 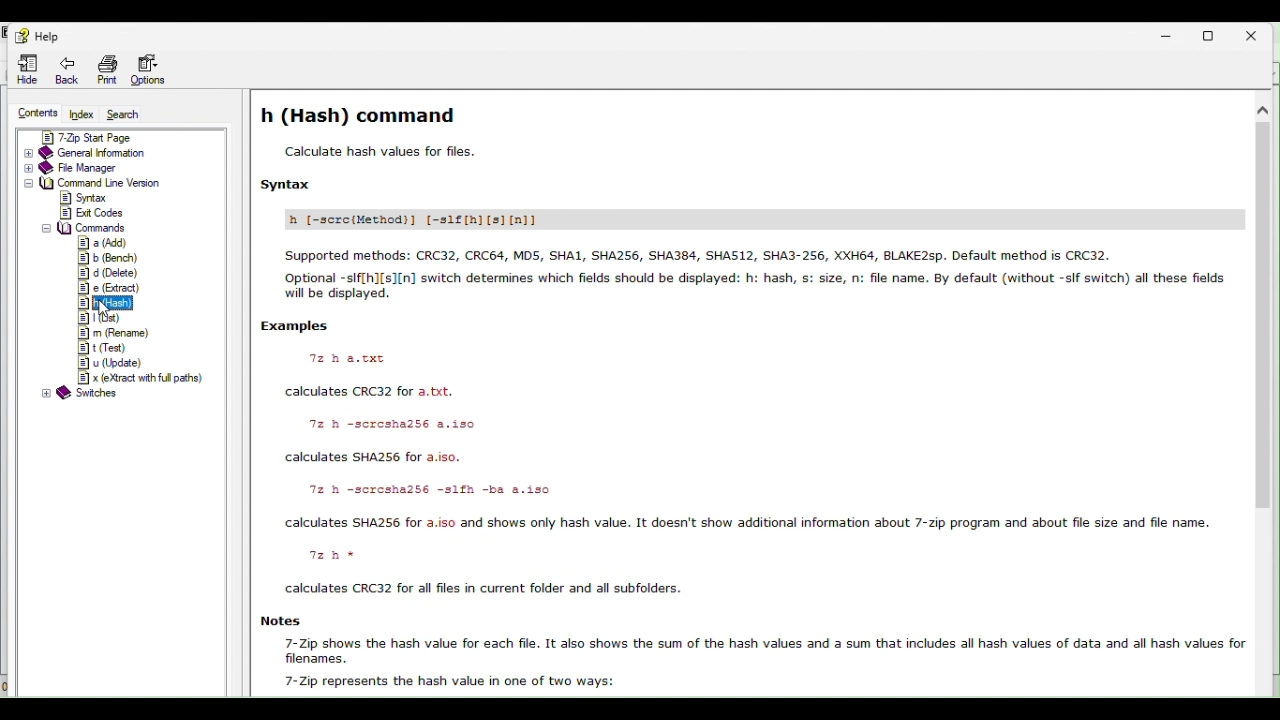 What do you see at coordinates (99, 316) in the screenshot?
I see `l(list)` at bounding box center [99, 316].